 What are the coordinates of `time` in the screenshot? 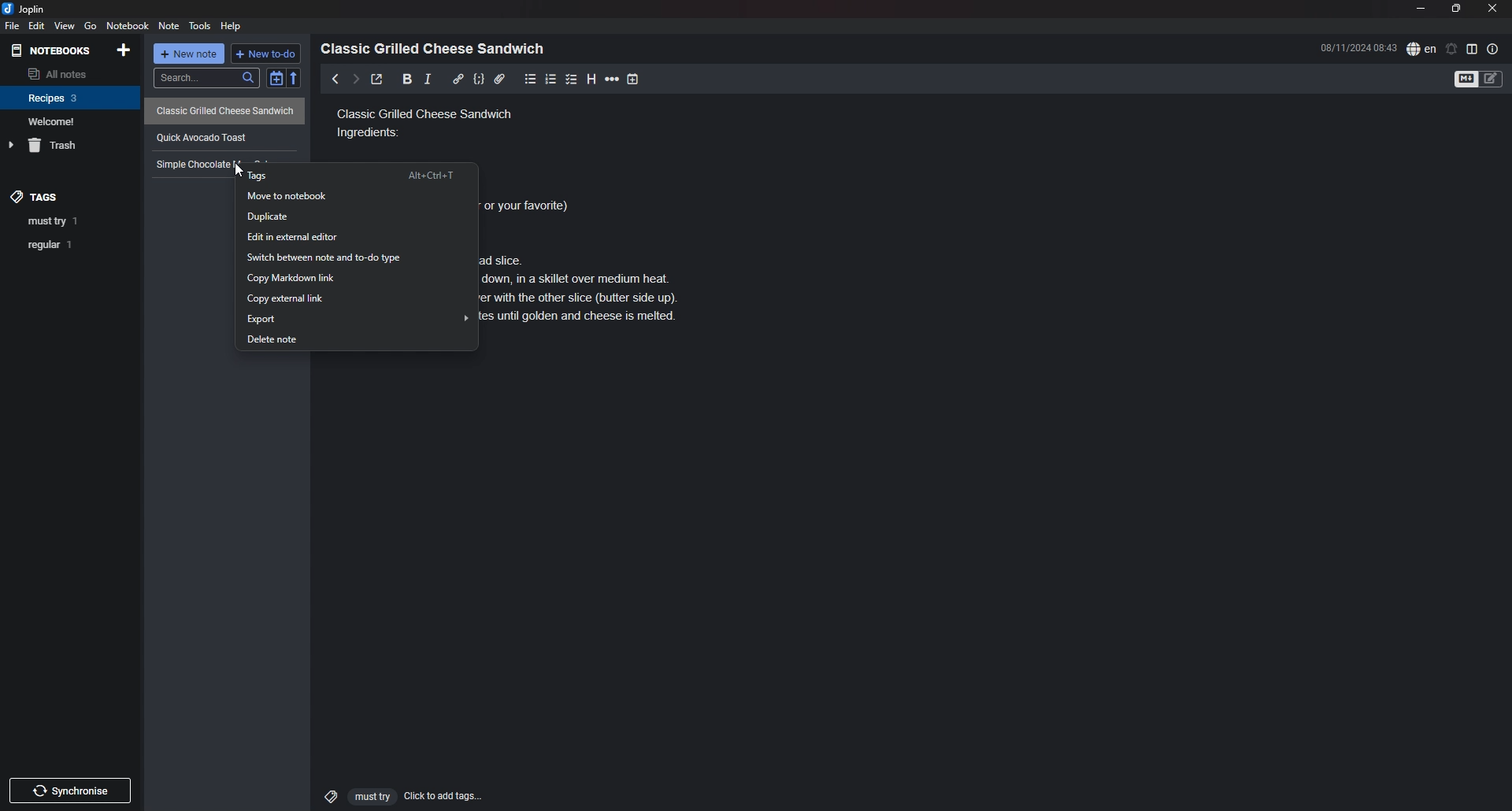 It's located at (1358, 47).